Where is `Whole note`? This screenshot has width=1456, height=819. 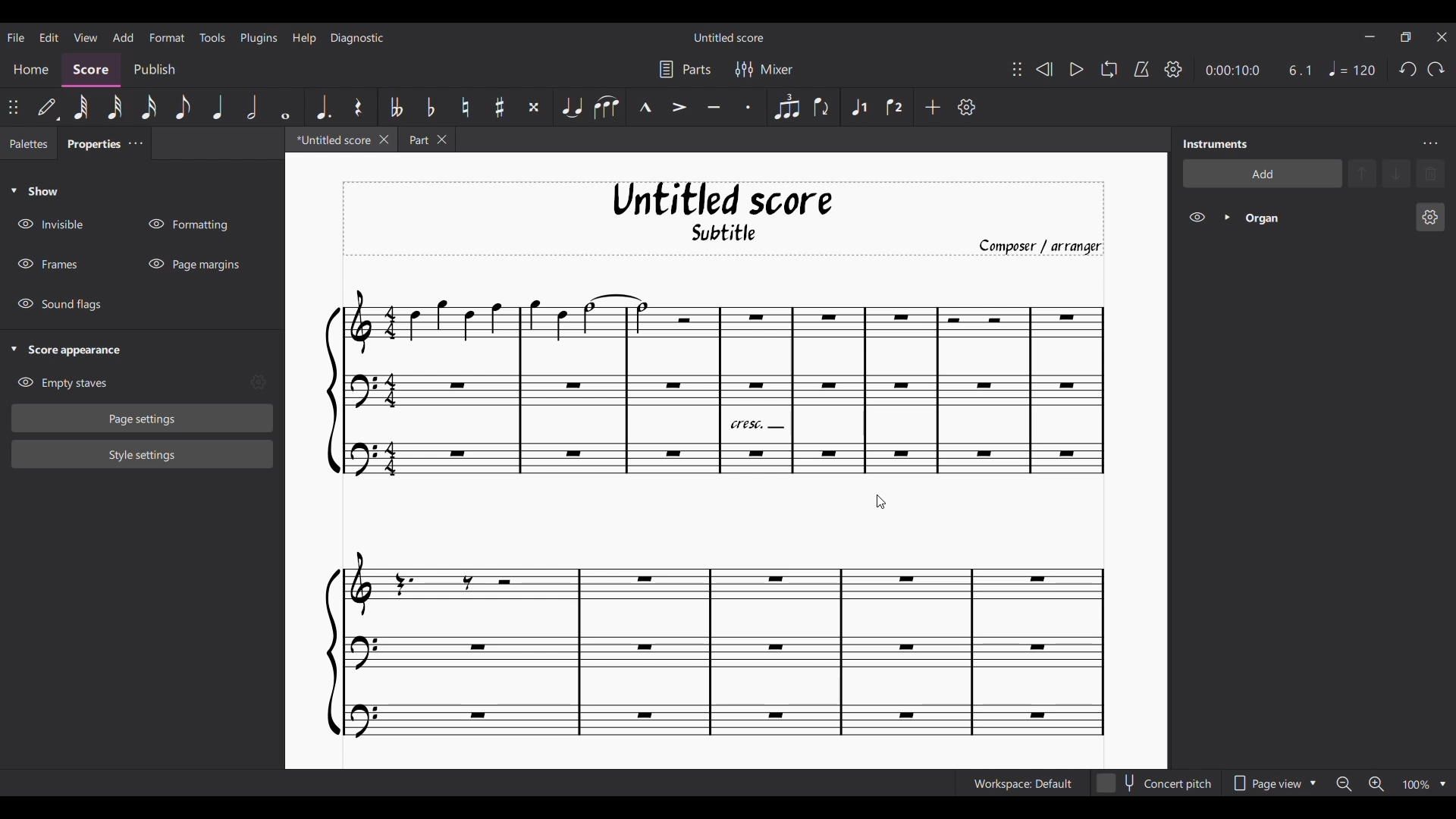 Whole note is located at coordinates (286, 108).